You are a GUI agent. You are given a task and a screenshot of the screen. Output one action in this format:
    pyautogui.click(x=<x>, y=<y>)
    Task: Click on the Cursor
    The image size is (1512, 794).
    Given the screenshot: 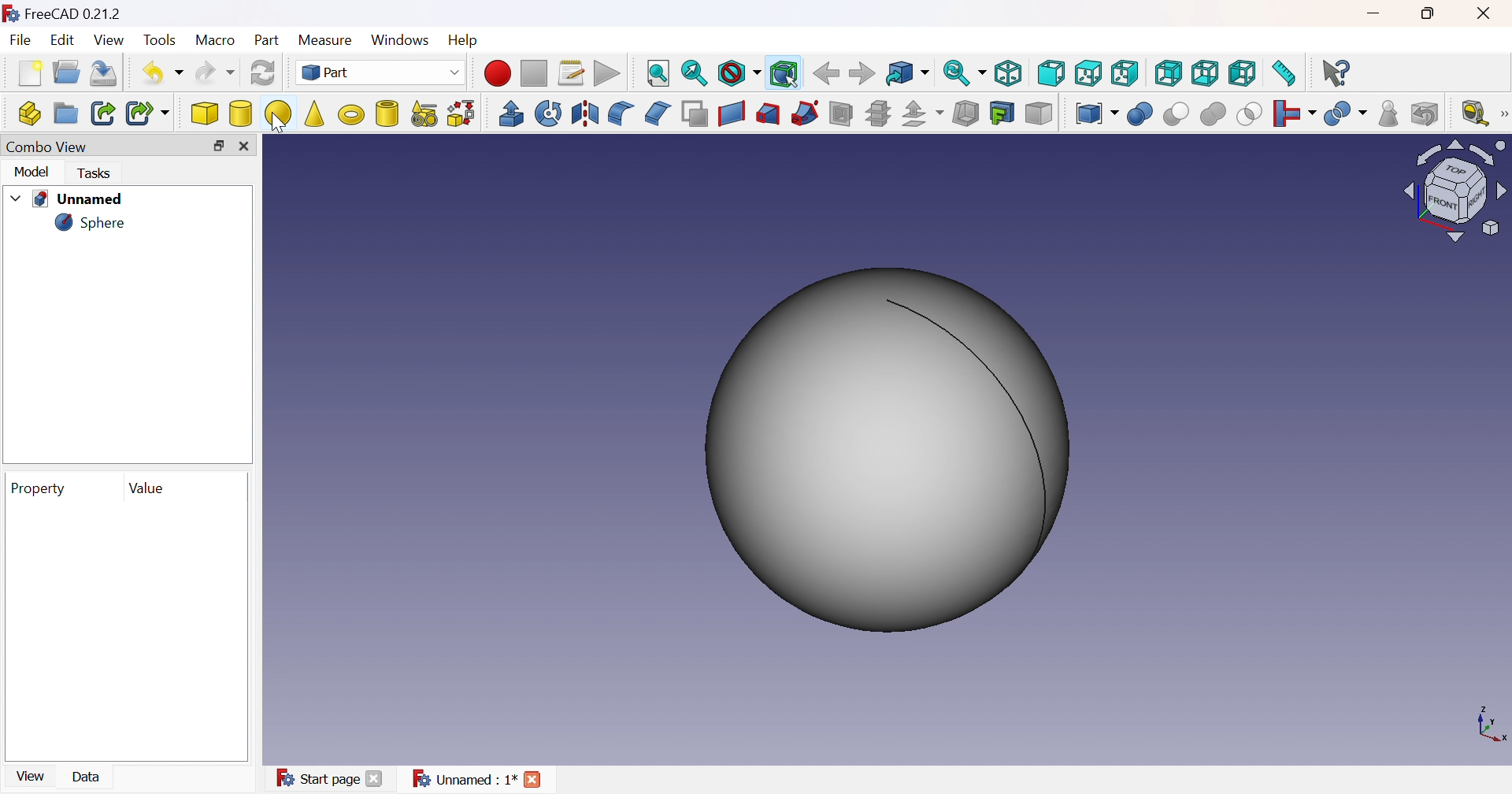 What is the action you would take?
    pyautogui.click(x=278, y=121)
    